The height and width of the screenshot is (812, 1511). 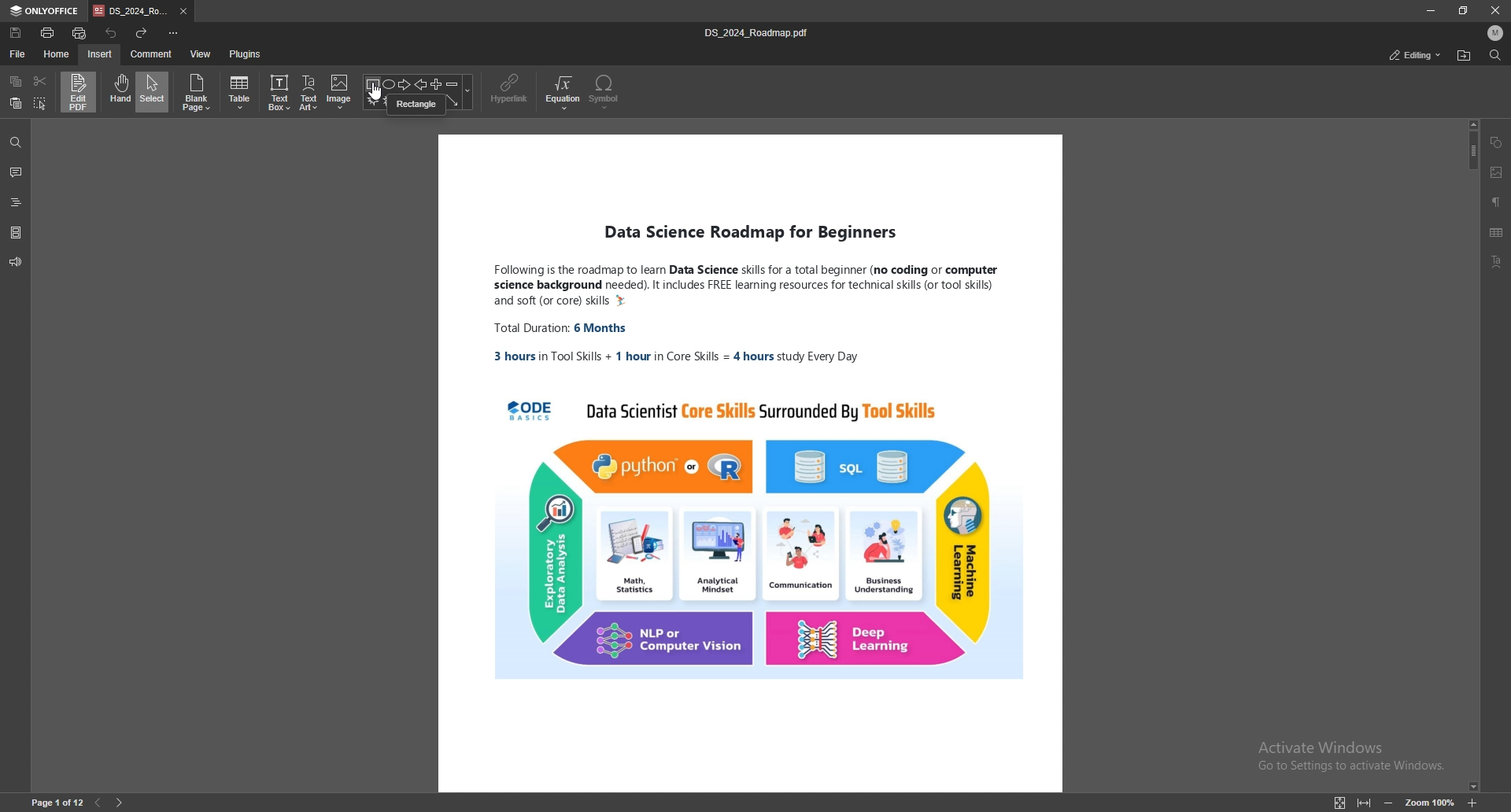 What do you see at coordinates (605, 92) in the screenshot?
I see `symbol` at bounding box center [605, 92].